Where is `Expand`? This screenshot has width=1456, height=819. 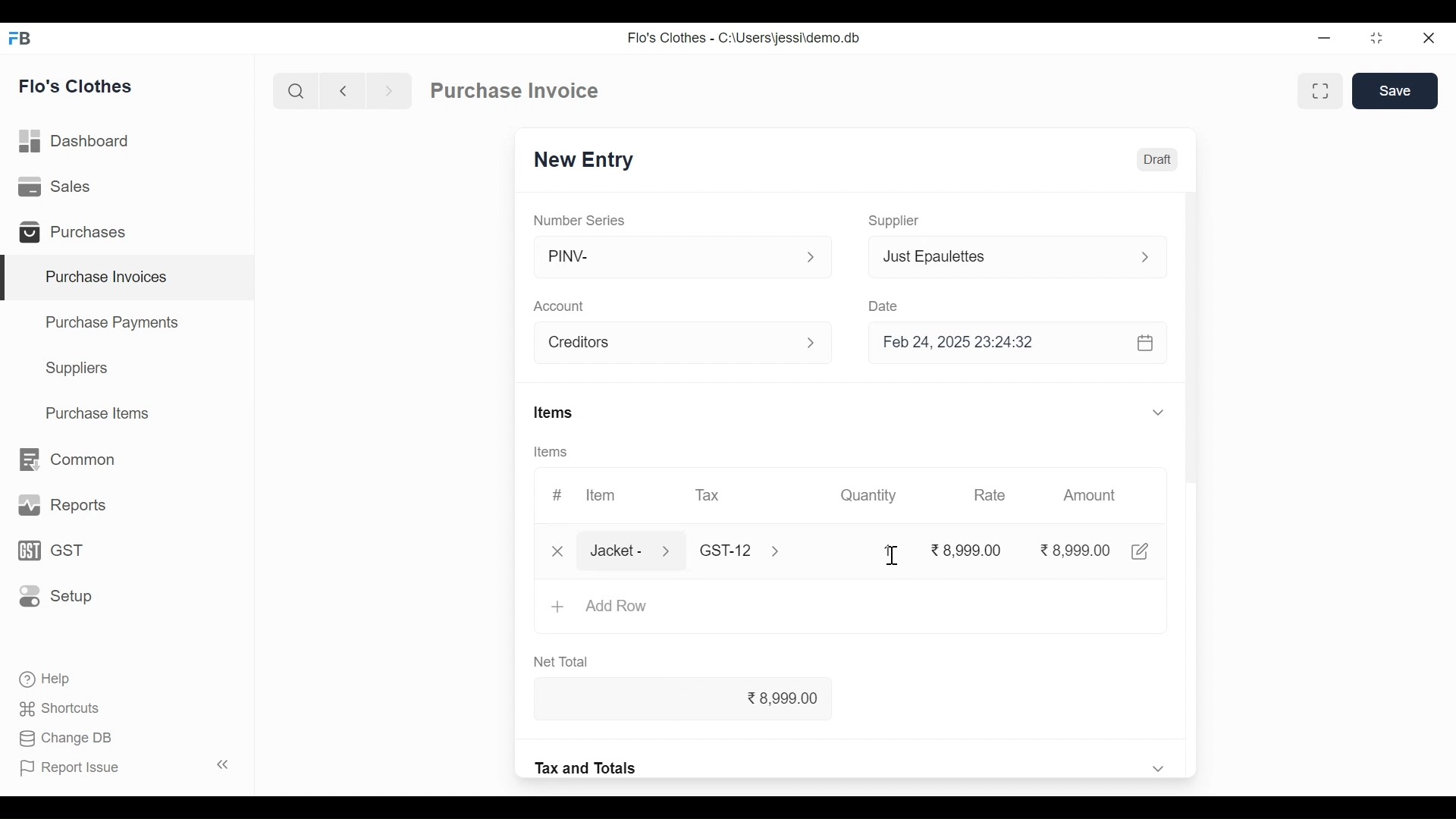
Expand is located at coordinates (1158, 767).